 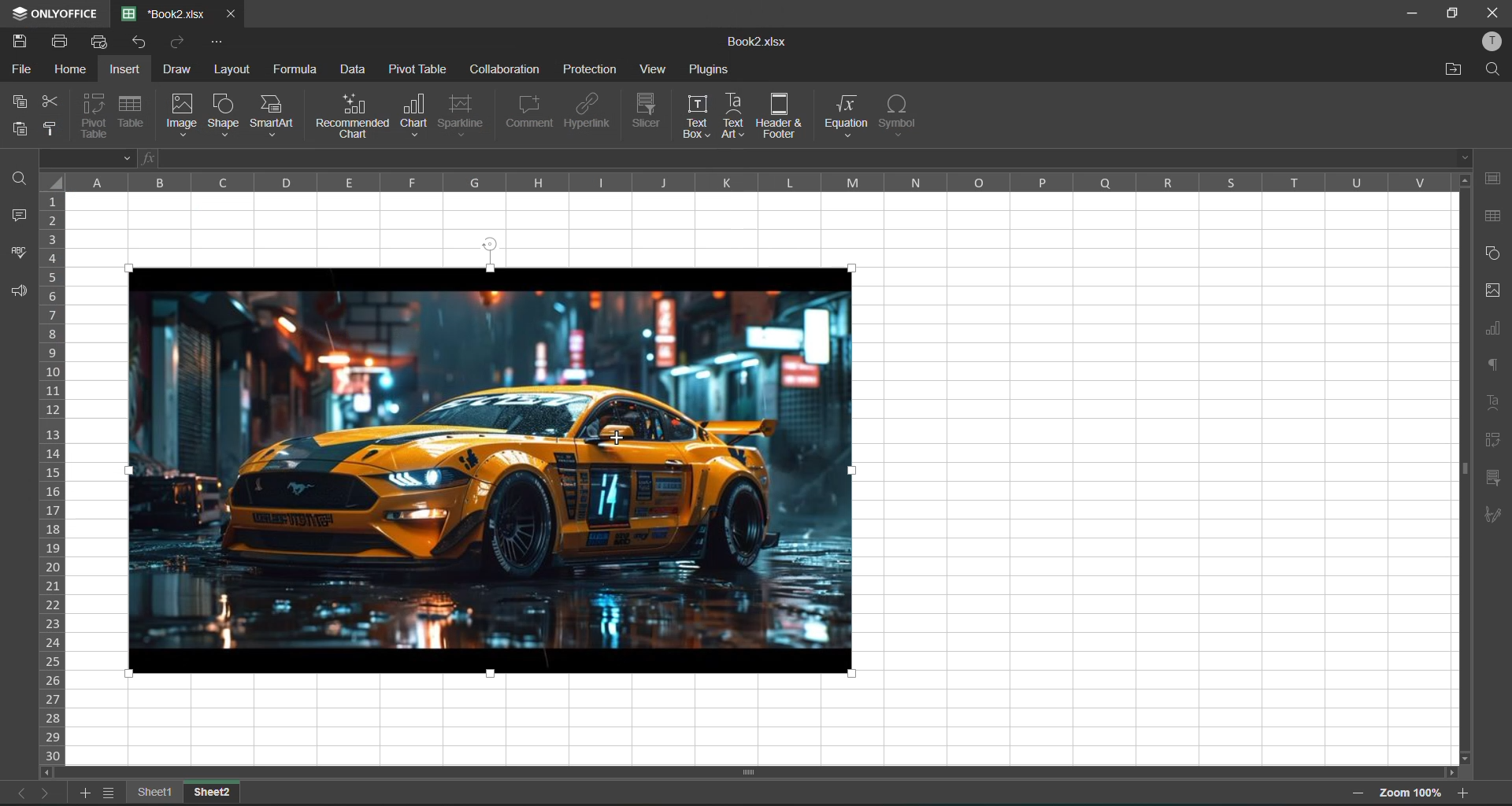 I want to click on customize quick access toolbar, so click(x=217, y=43).